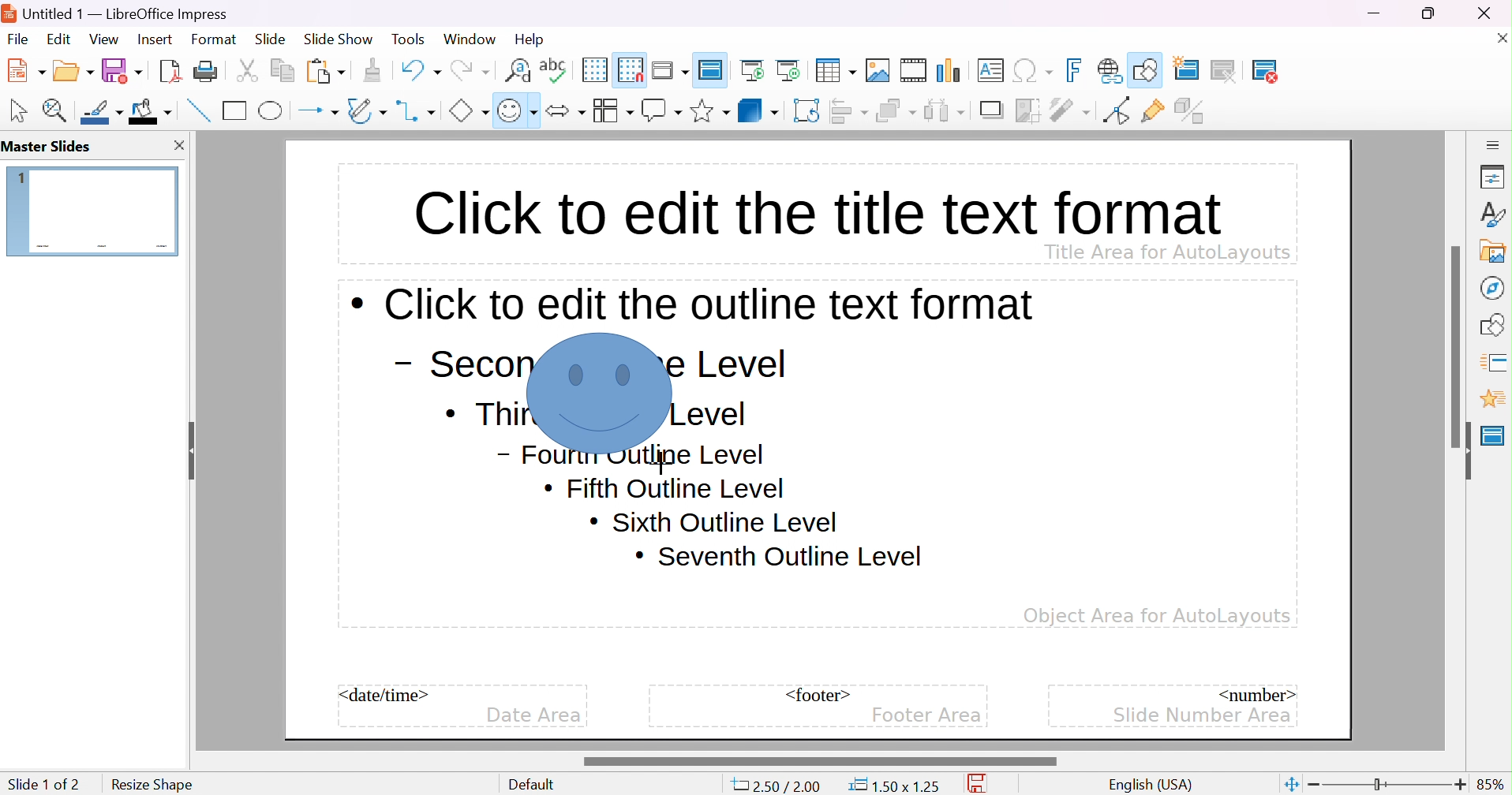 The width and height of the screenshot is (1512, 795). What do you see at coordinates (339, 37) in the screenshot?
I see `slide show` at bounding box center [339, 37].